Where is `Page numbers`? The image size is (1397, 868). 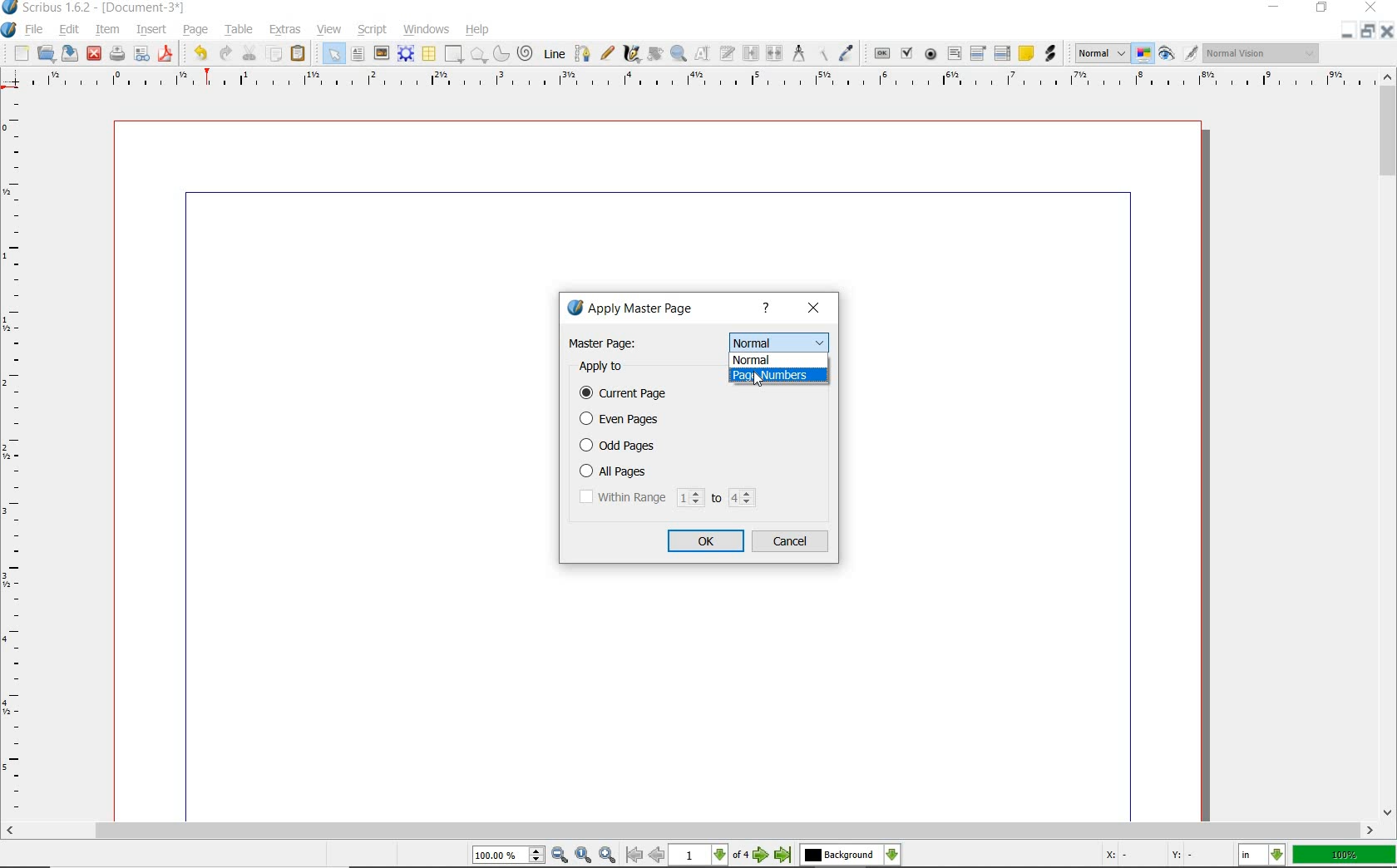 Page numbers is located at coordinates (778, 374).